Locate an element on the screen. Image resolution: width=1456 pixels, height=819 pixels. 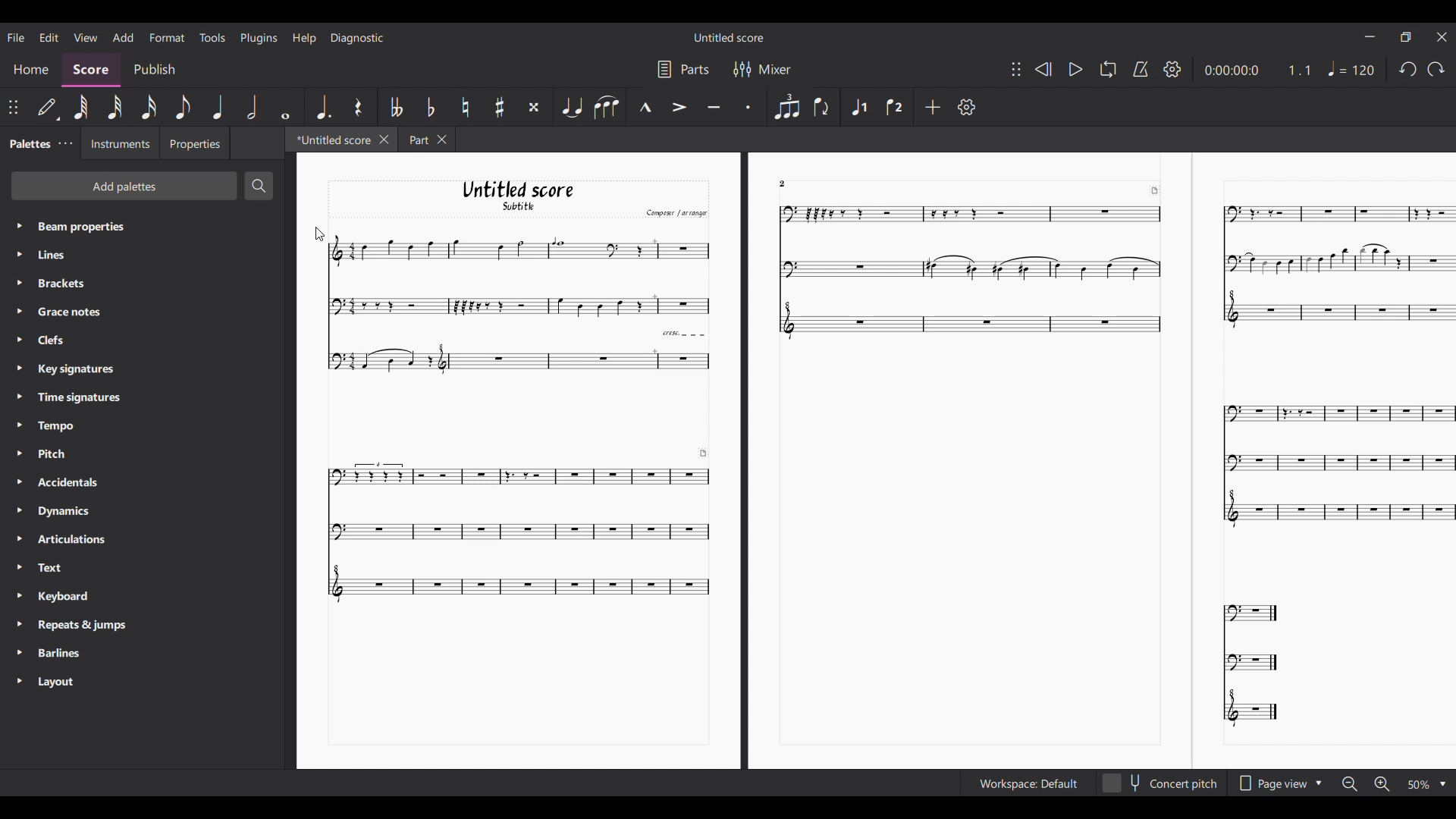
Quarter note is located at coordinates (219, 107).